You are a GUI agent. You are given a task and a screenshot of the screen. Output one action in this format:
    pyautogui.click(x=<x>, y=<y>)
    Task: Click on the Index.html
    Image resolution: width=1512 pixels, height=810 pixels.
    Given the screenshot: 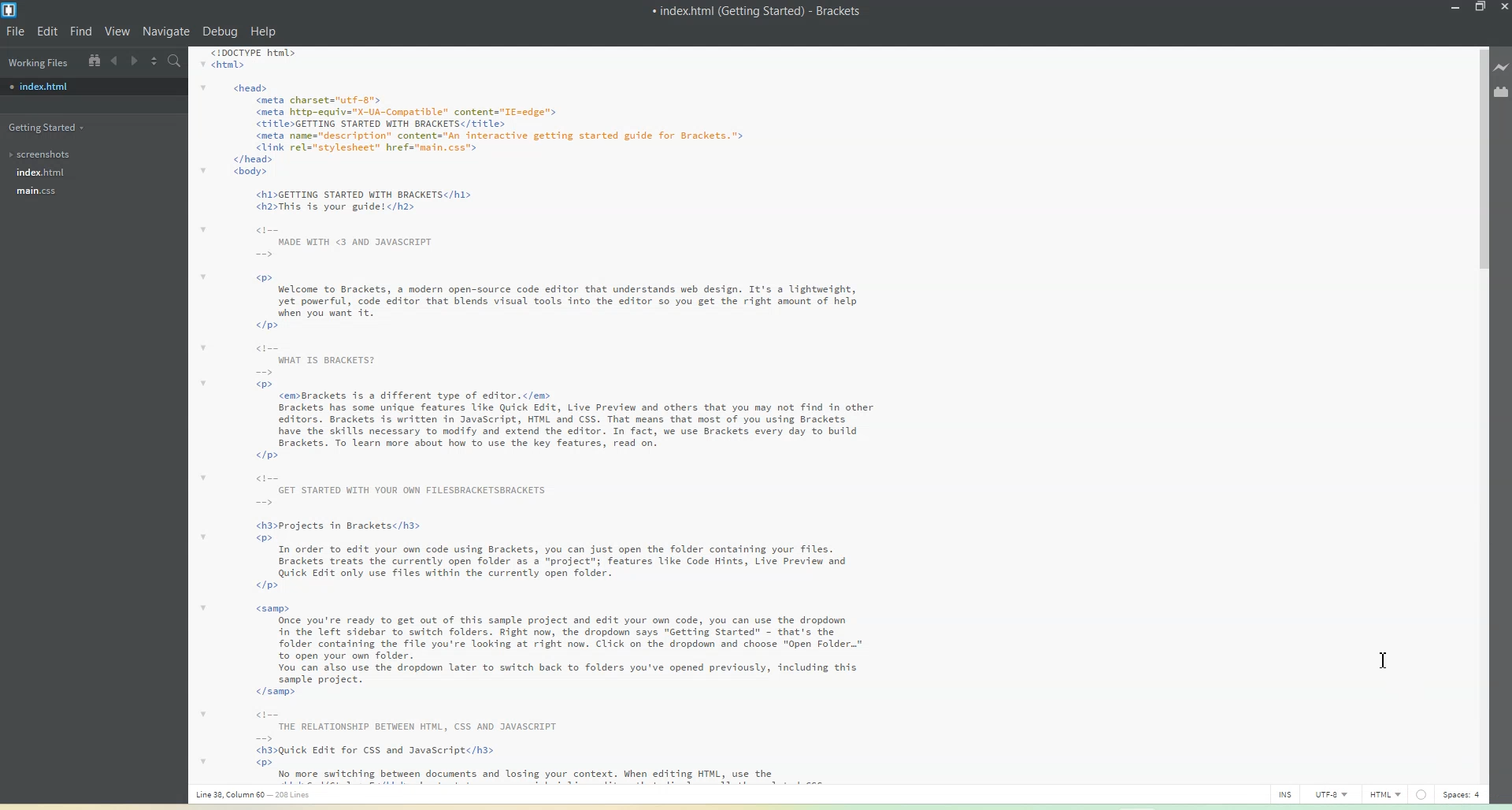 What is the action you would take?
    pyautogui.click(x=43, y=86)
    